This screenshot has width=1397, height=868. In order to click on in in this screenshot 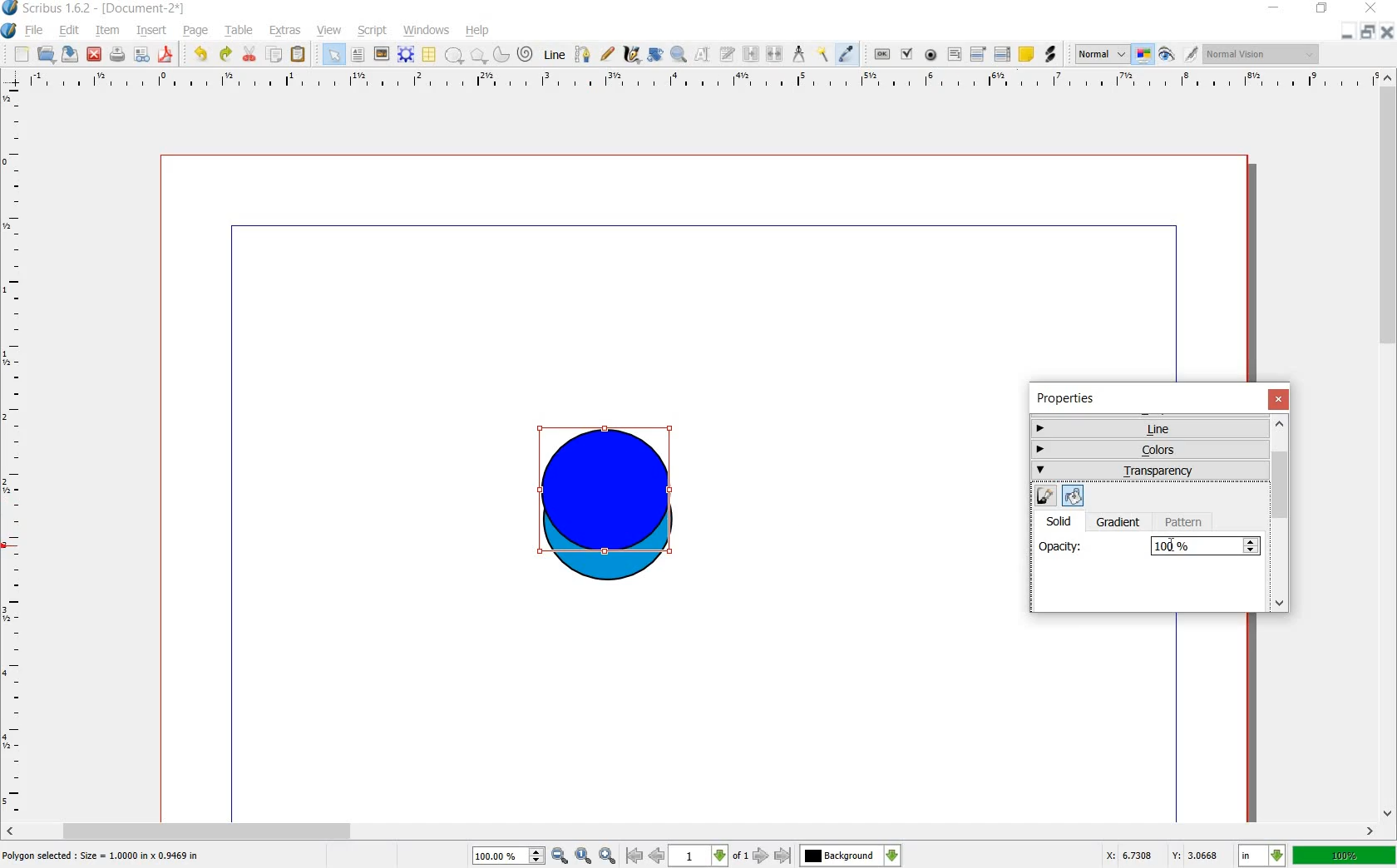, I will do `click(1261, 856)`.